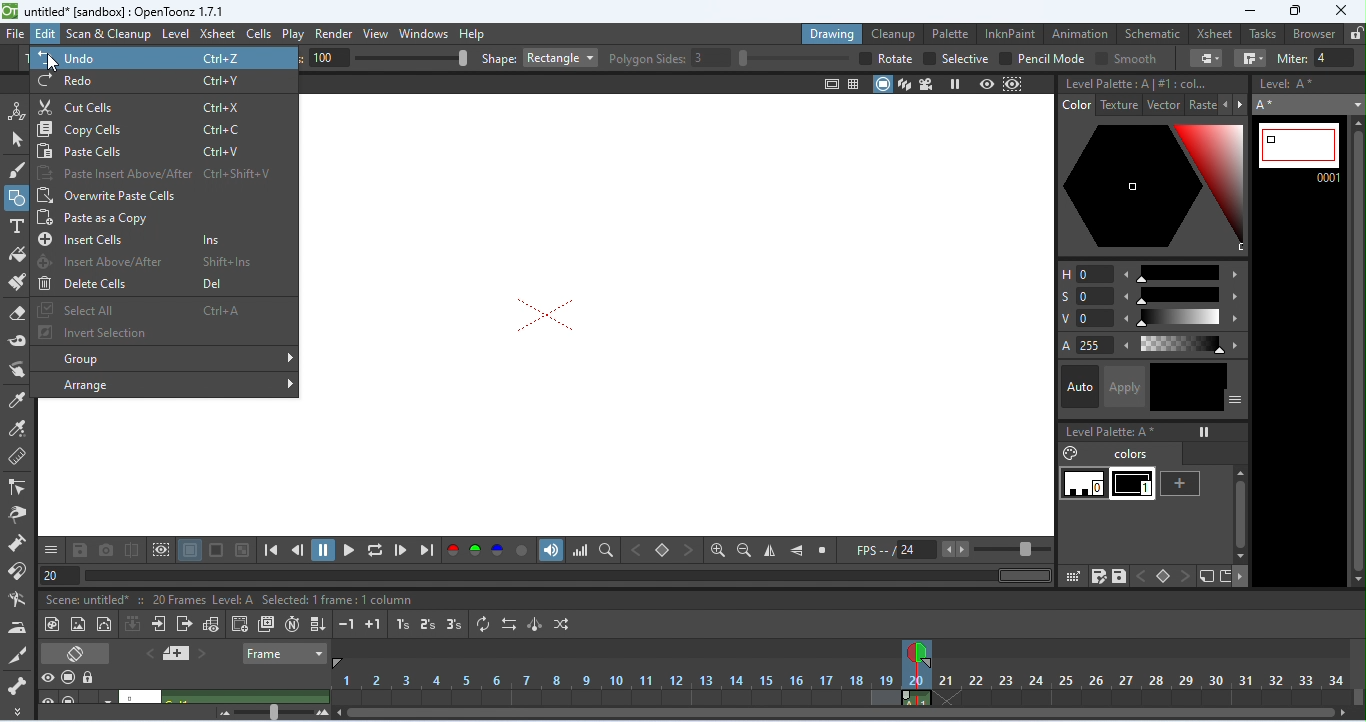  I want to click on random, so click(558, 625).